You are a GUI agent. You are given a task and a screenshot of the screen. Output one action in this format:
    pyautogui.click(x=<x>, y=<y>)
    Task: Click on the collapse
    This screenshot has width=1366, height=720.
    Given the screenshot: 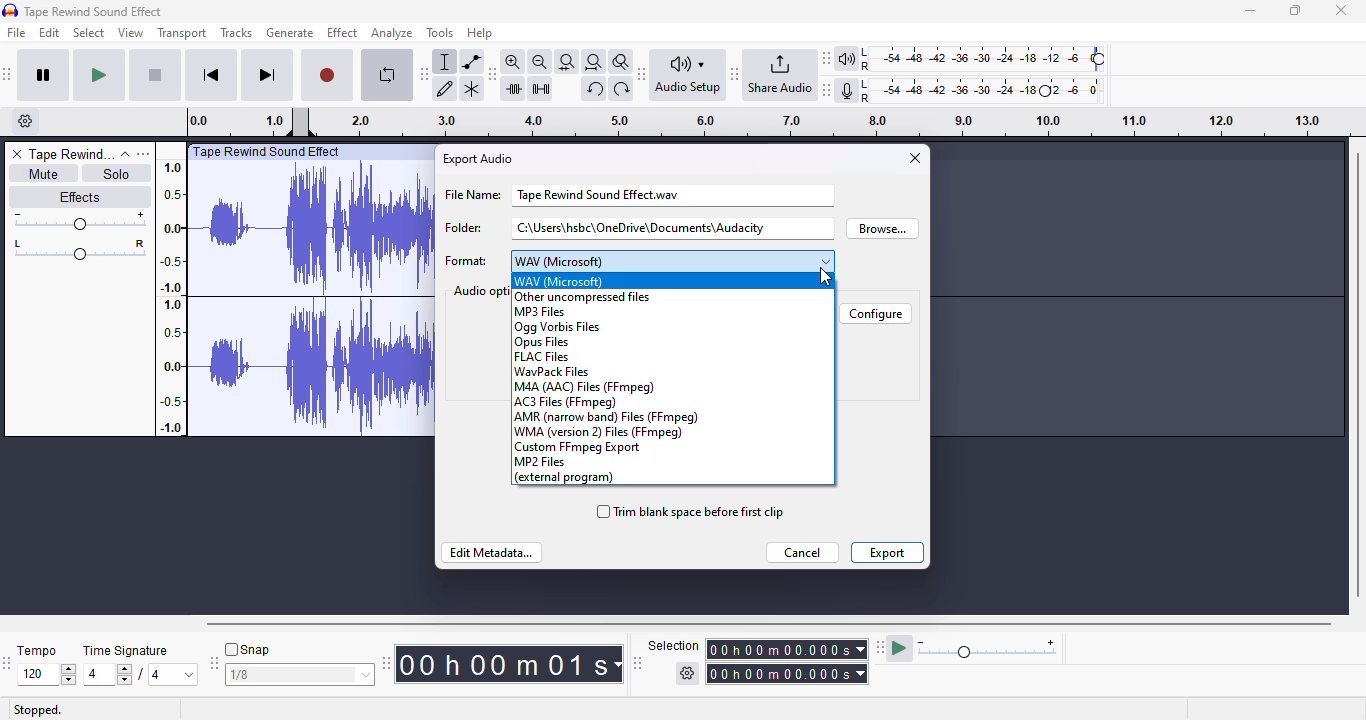 What is the action you would take?
    pyautogui.click(x=126, y=154)
    